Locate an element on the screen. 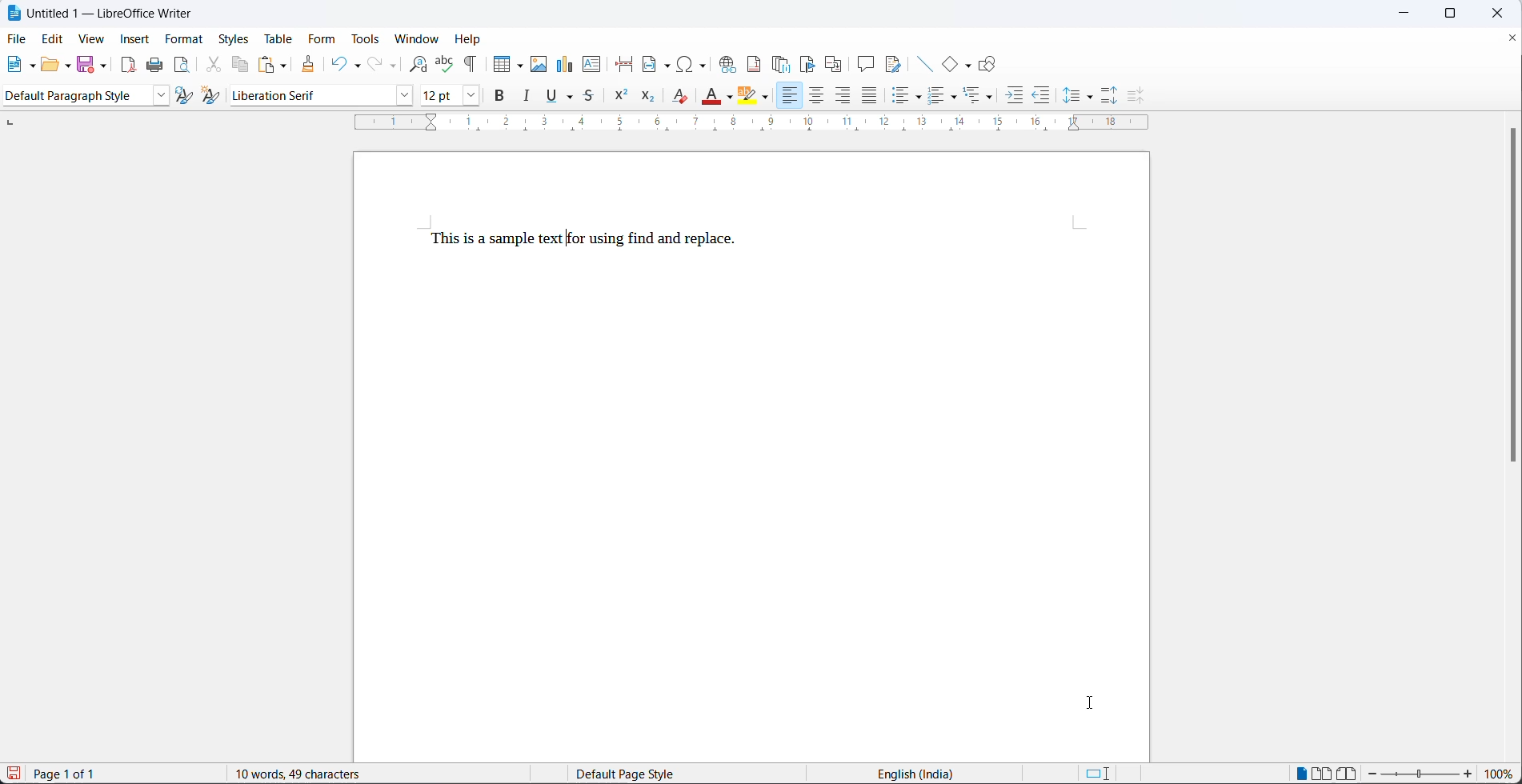 Image resolution: width=1522 pixels, height=784 pixels. minimize is located at coordinates (1412, 12).